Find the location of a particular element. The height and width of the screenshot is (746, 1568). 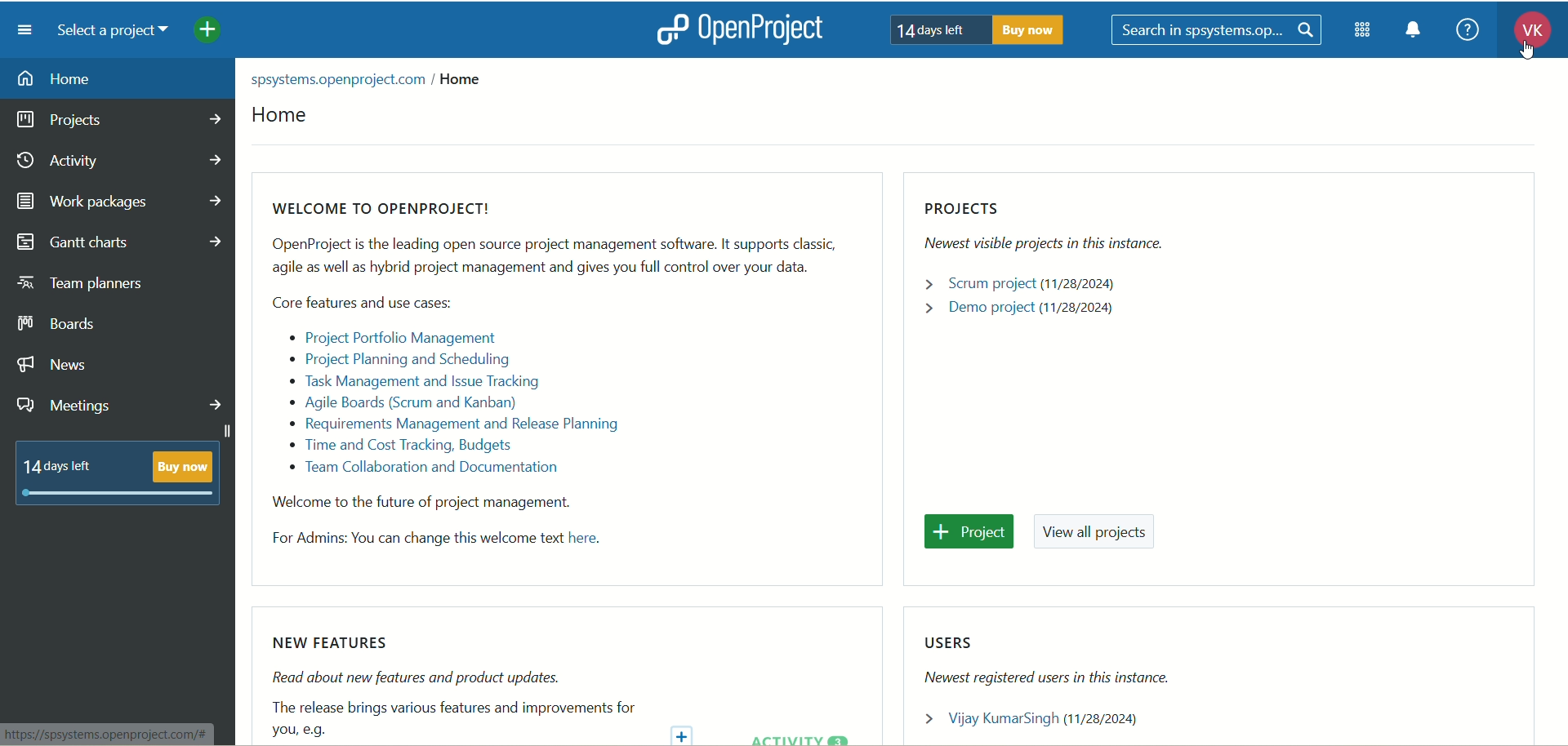

user  is located at coordinates (1039, 717).